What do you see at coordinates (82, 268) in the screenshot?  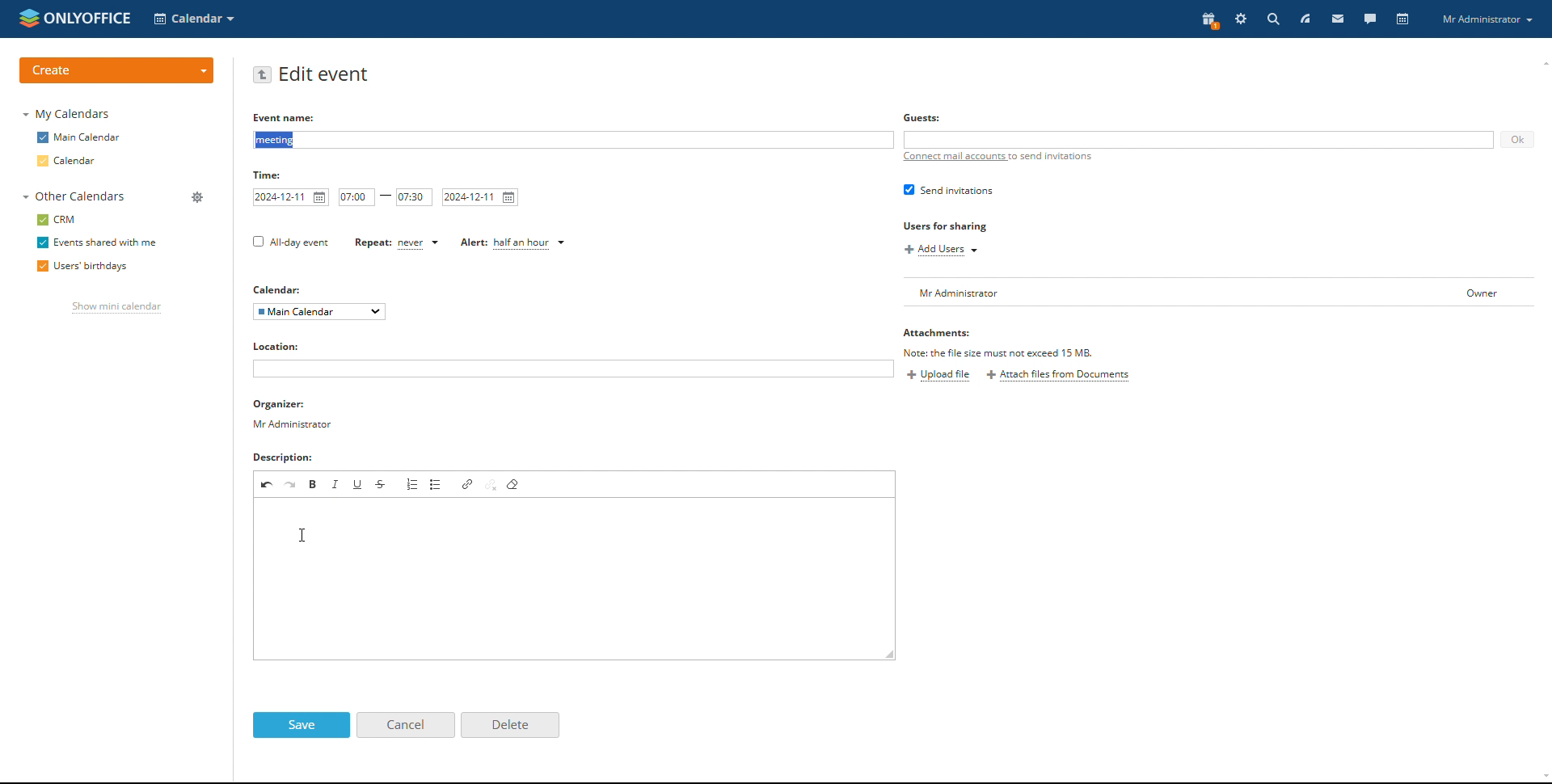 I see `users' birthdays` at bounding box center [82, 268].